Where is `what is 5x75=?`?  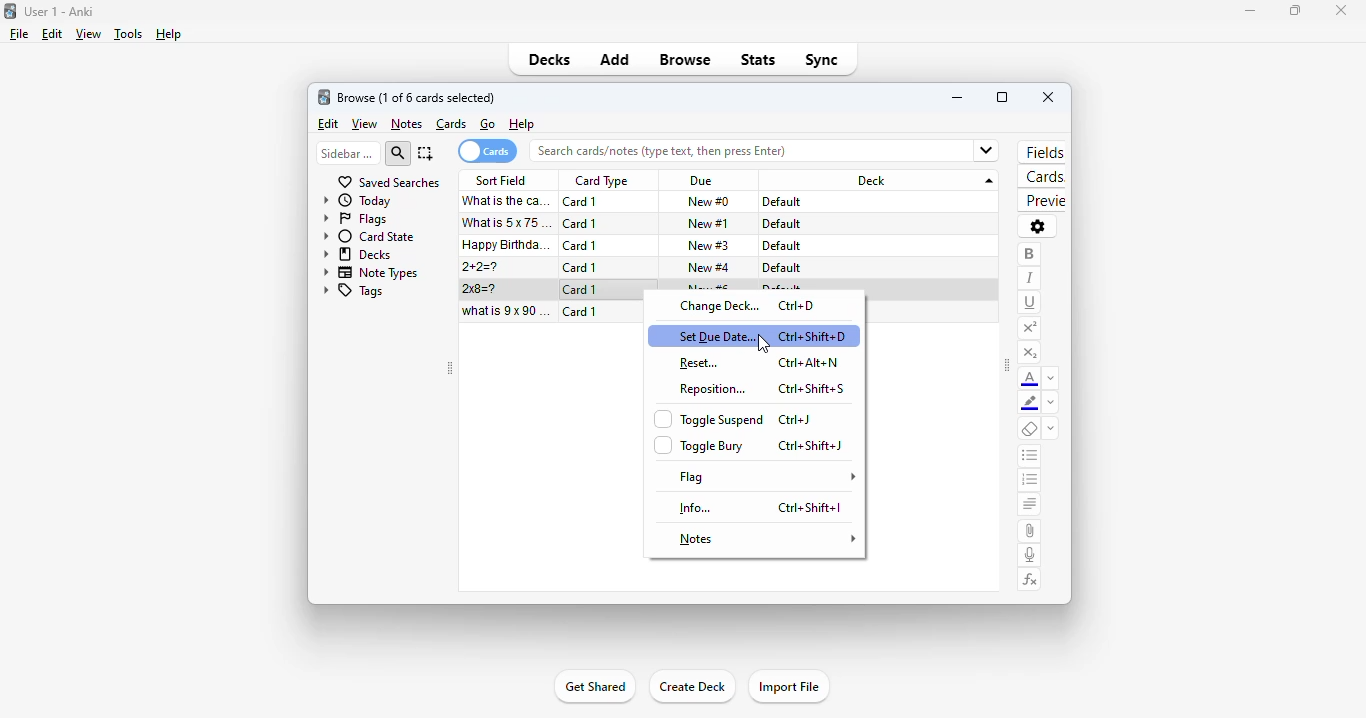
what is 5x75=? is located at coordinates (509, 222).